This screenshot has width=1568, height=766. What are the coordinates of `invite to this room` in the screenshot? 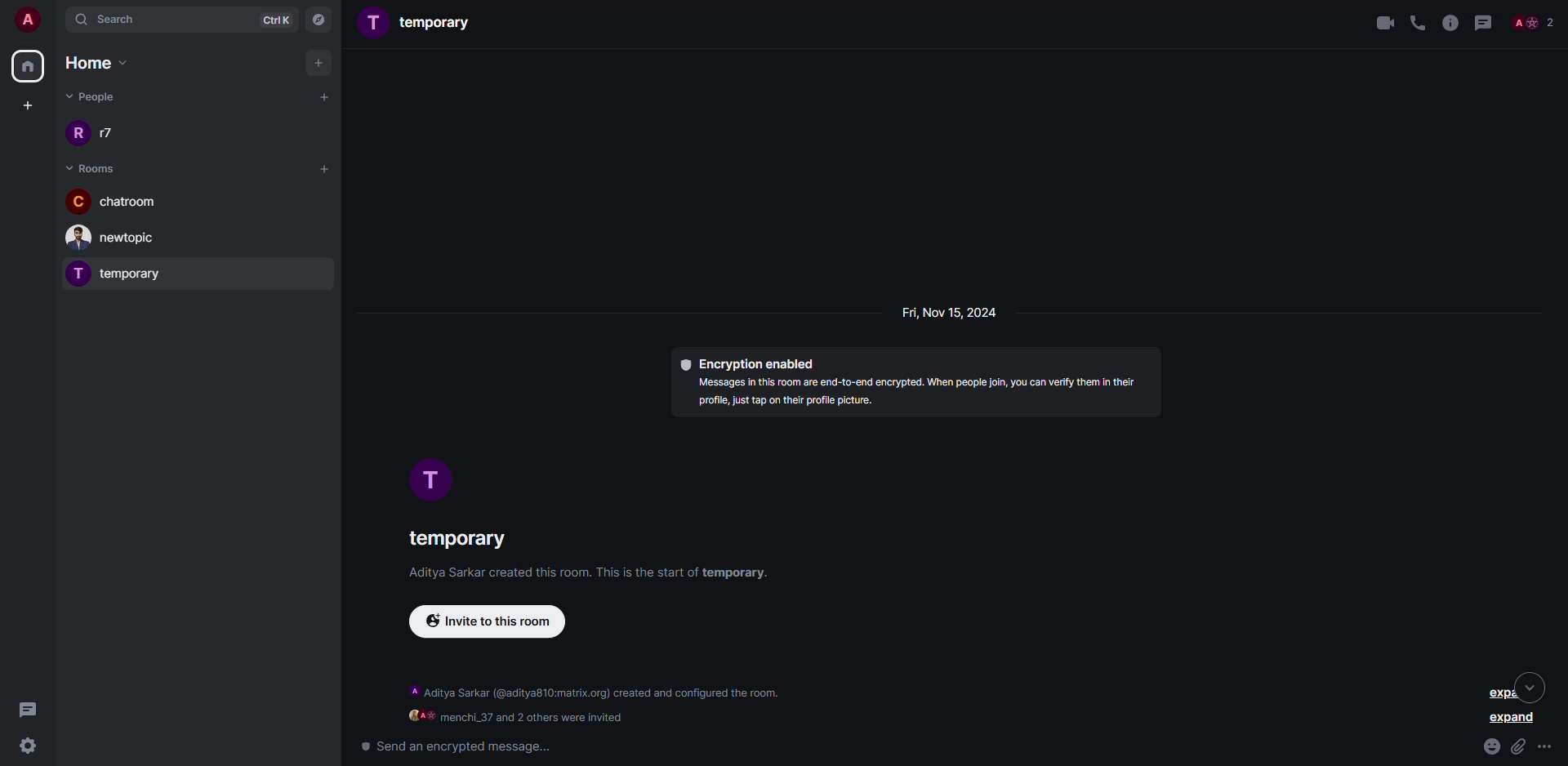 It's located at (497, 624).